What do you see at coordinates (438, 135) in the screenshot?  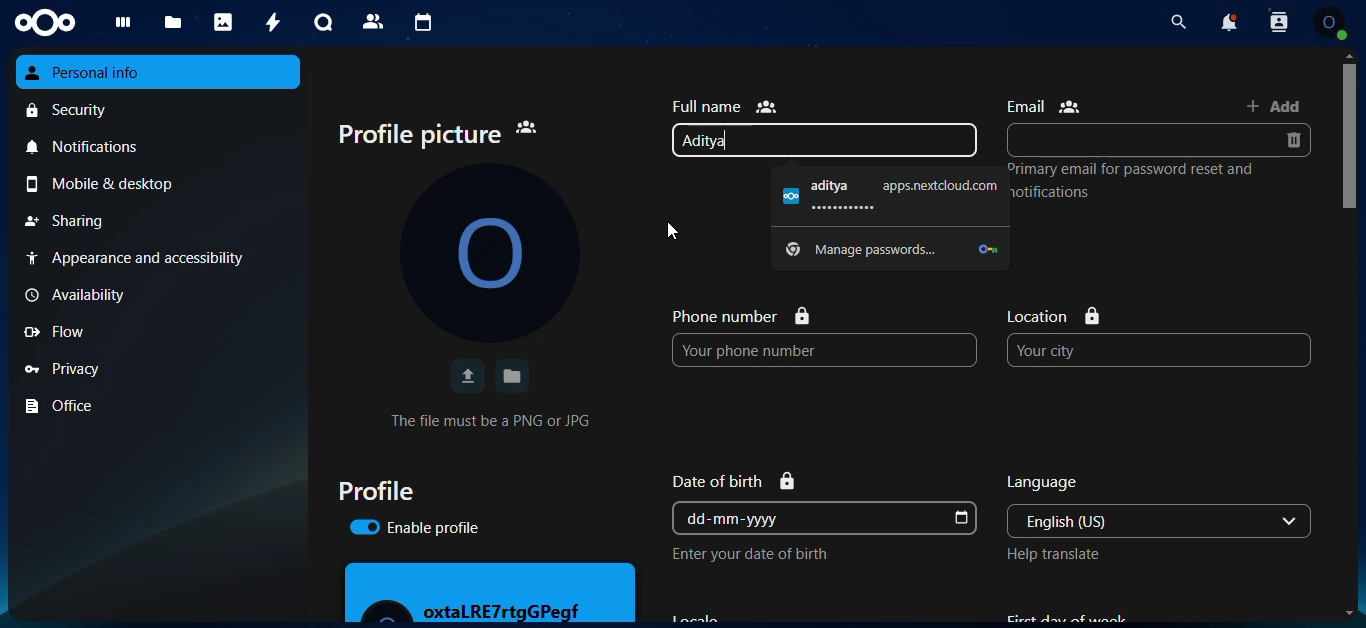 I see `profile picture` at bounding box center [438, 135].